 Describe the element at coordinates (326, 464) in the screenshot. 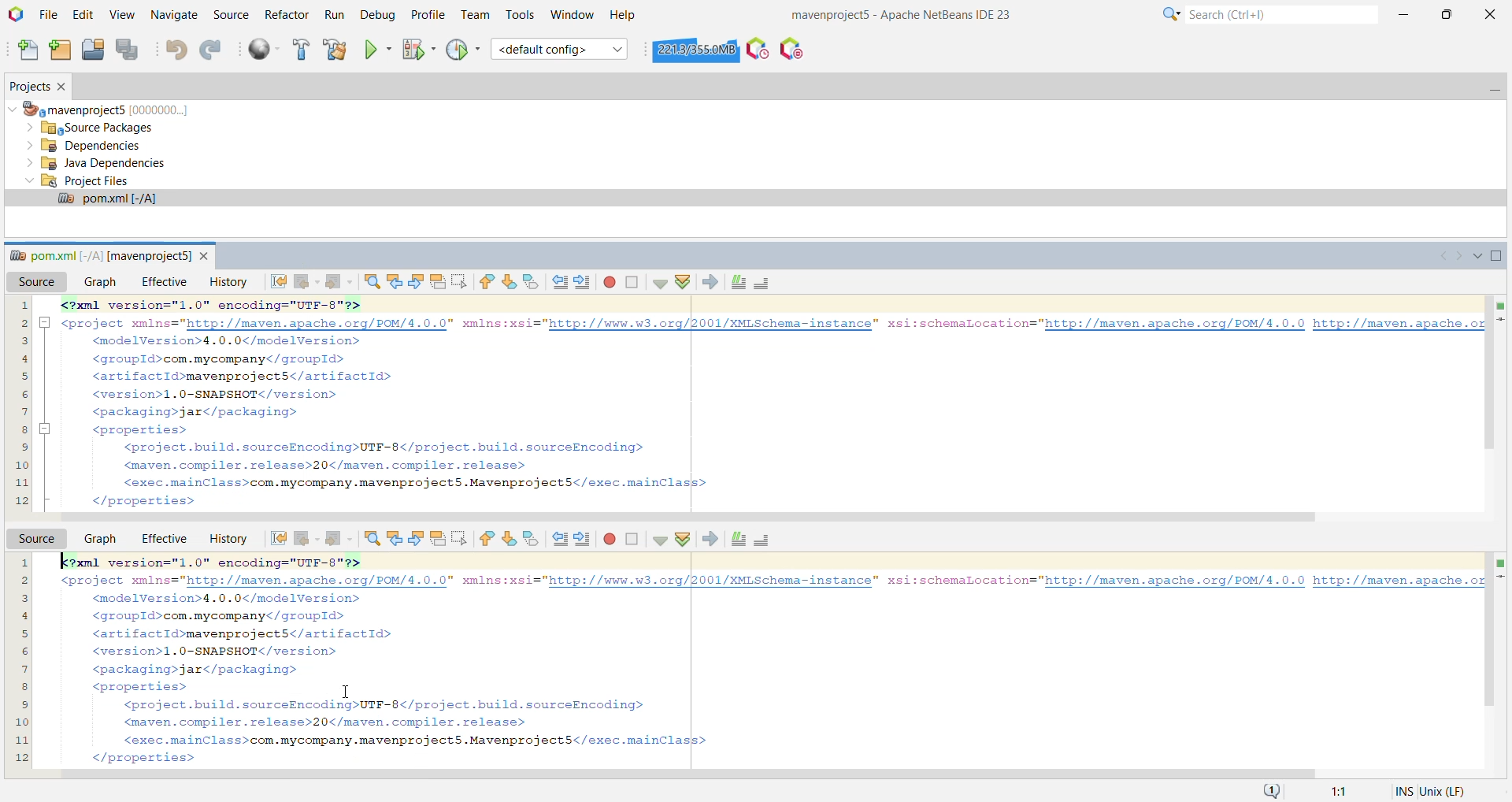

I see `<maven.compiler.release>20</maven.compiler.release>` at that location.